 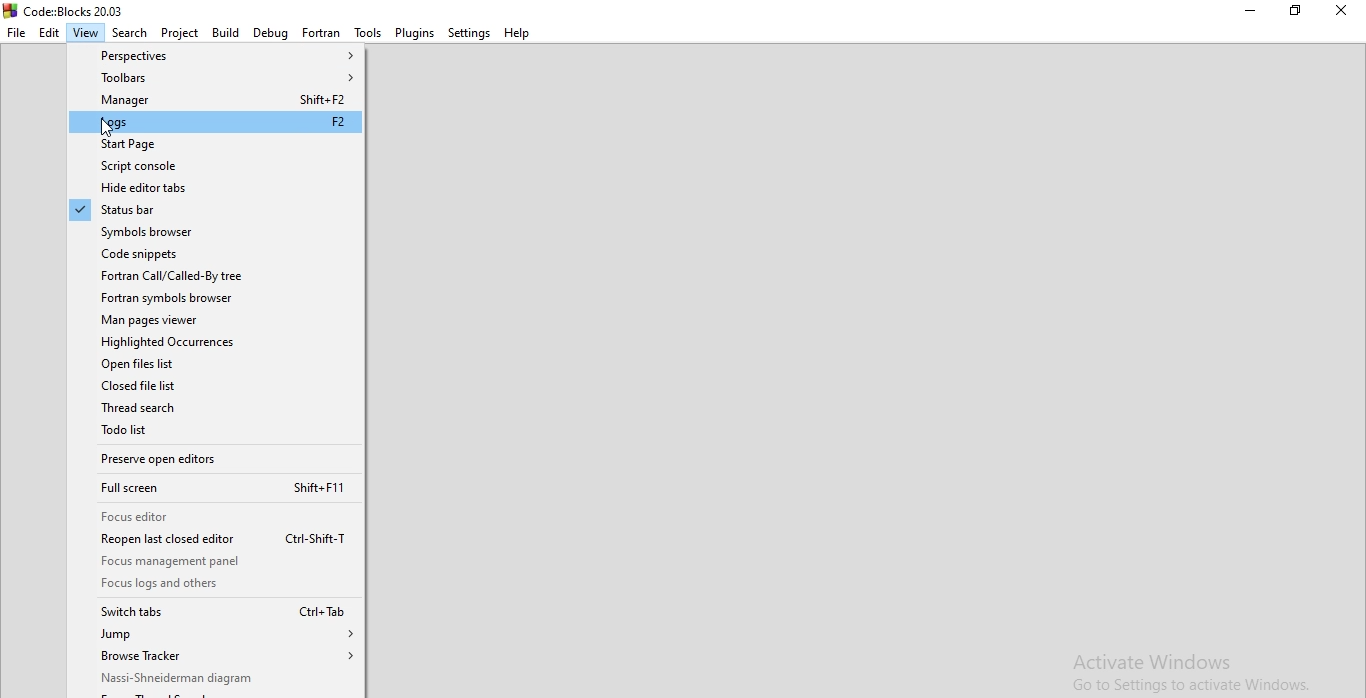 I want to click on Project , so click(x=179, y=32).